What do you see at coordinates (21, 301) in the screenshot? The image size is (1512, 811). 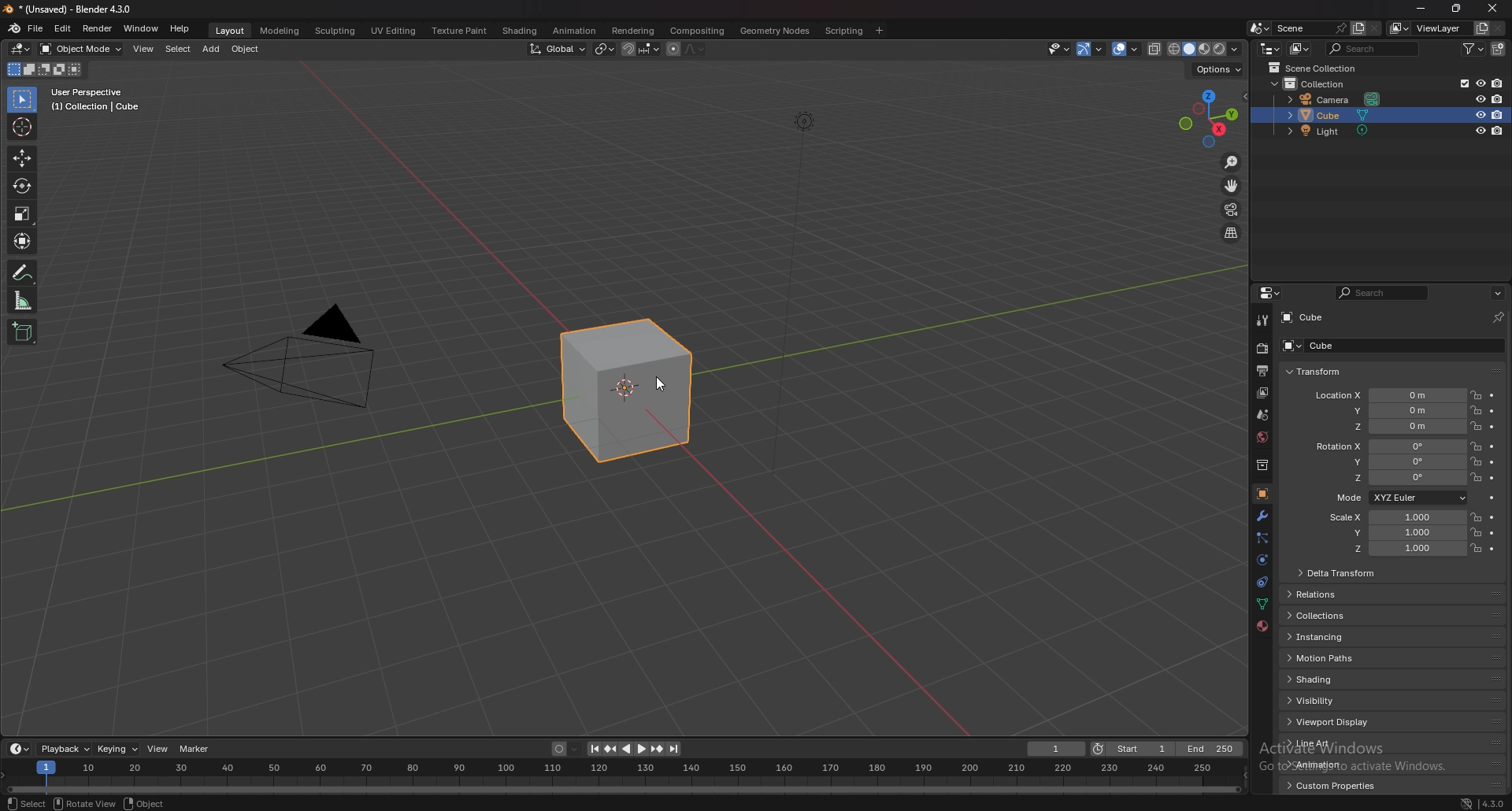 I see `measure` at bounding box center [21, 301].